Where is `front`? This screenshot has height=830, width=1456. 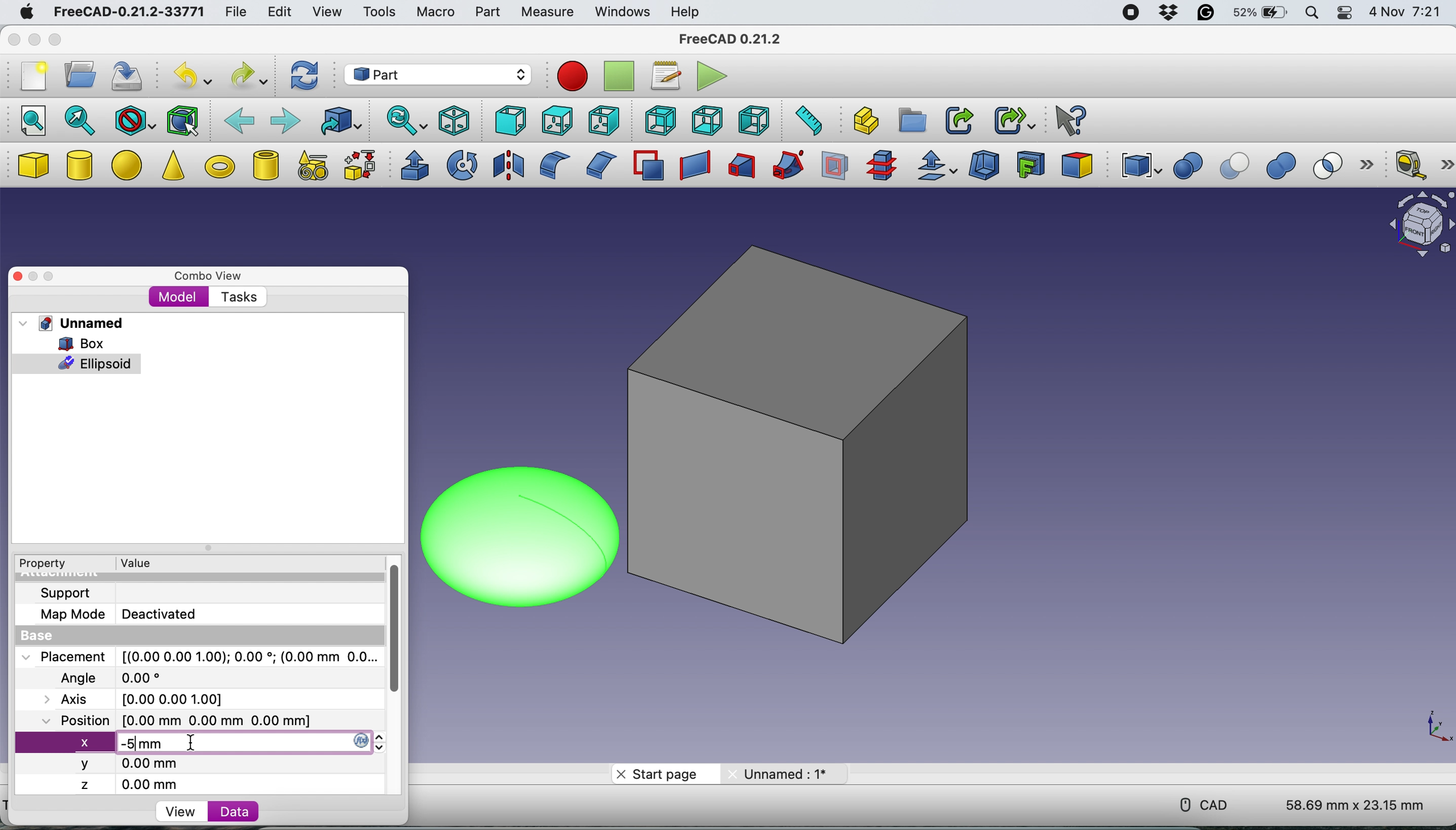 front is located at coordinates (508, 121).